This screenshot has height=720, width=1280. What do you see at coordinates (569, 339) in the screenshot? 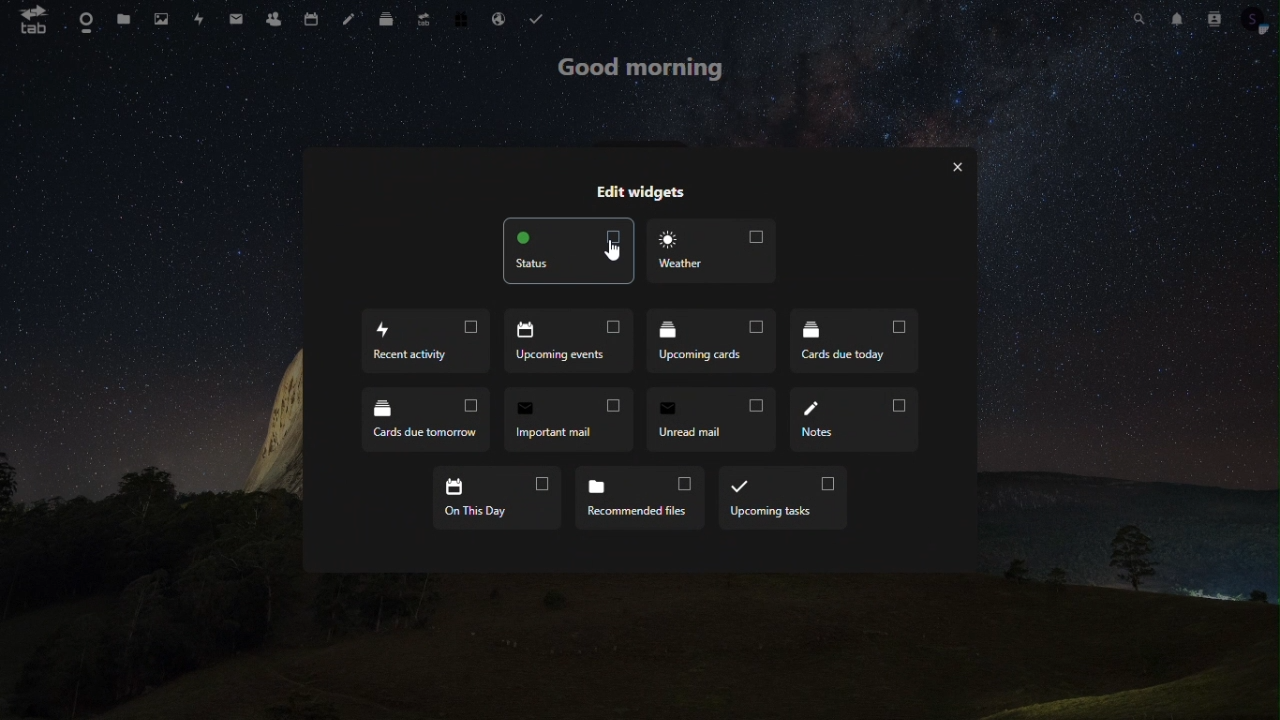
I see `upcoming events` at bounding box center [569, 339].